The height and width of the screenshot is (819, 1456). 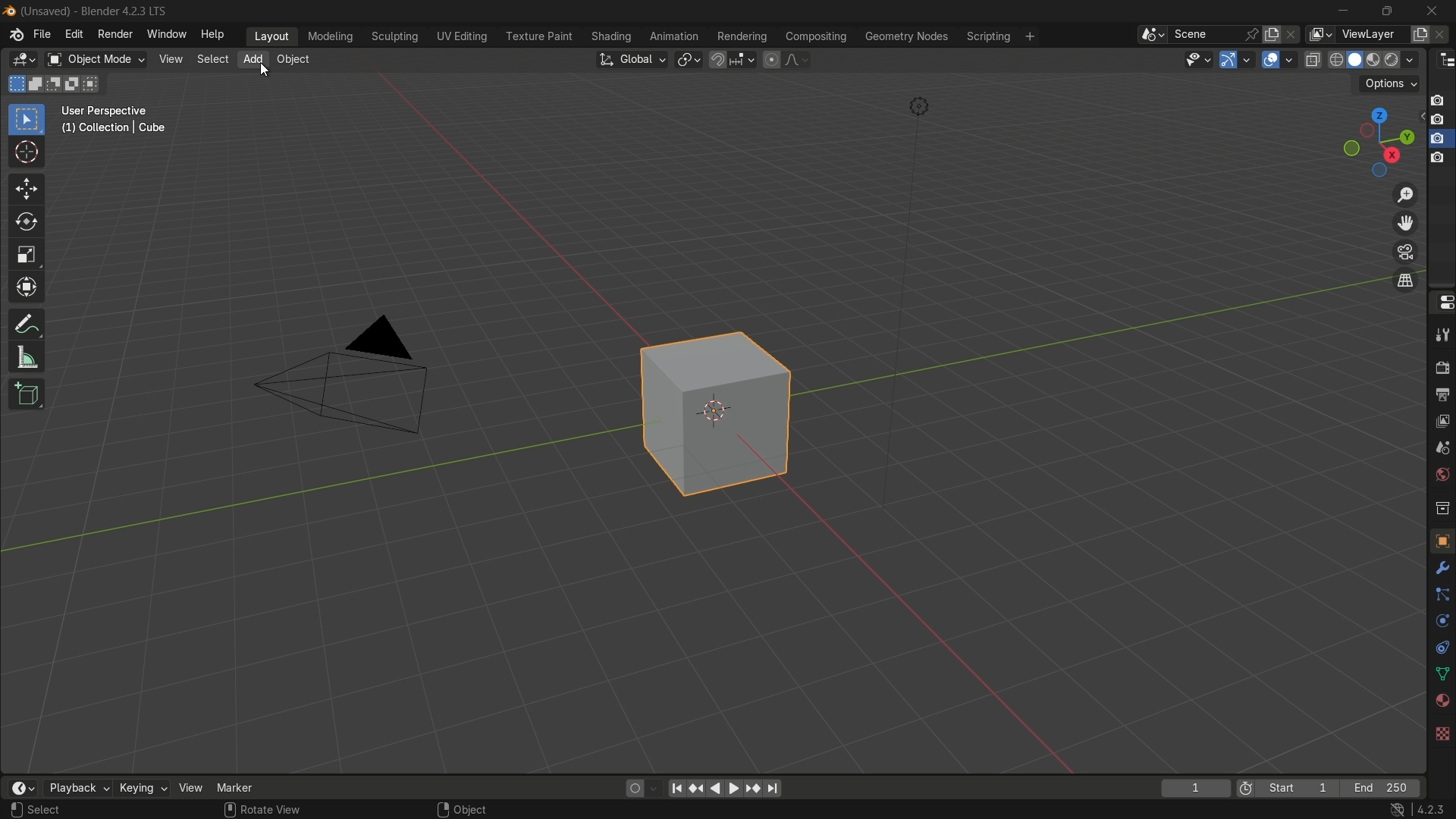 I want to click on transformation, so click(x=28, y=289).